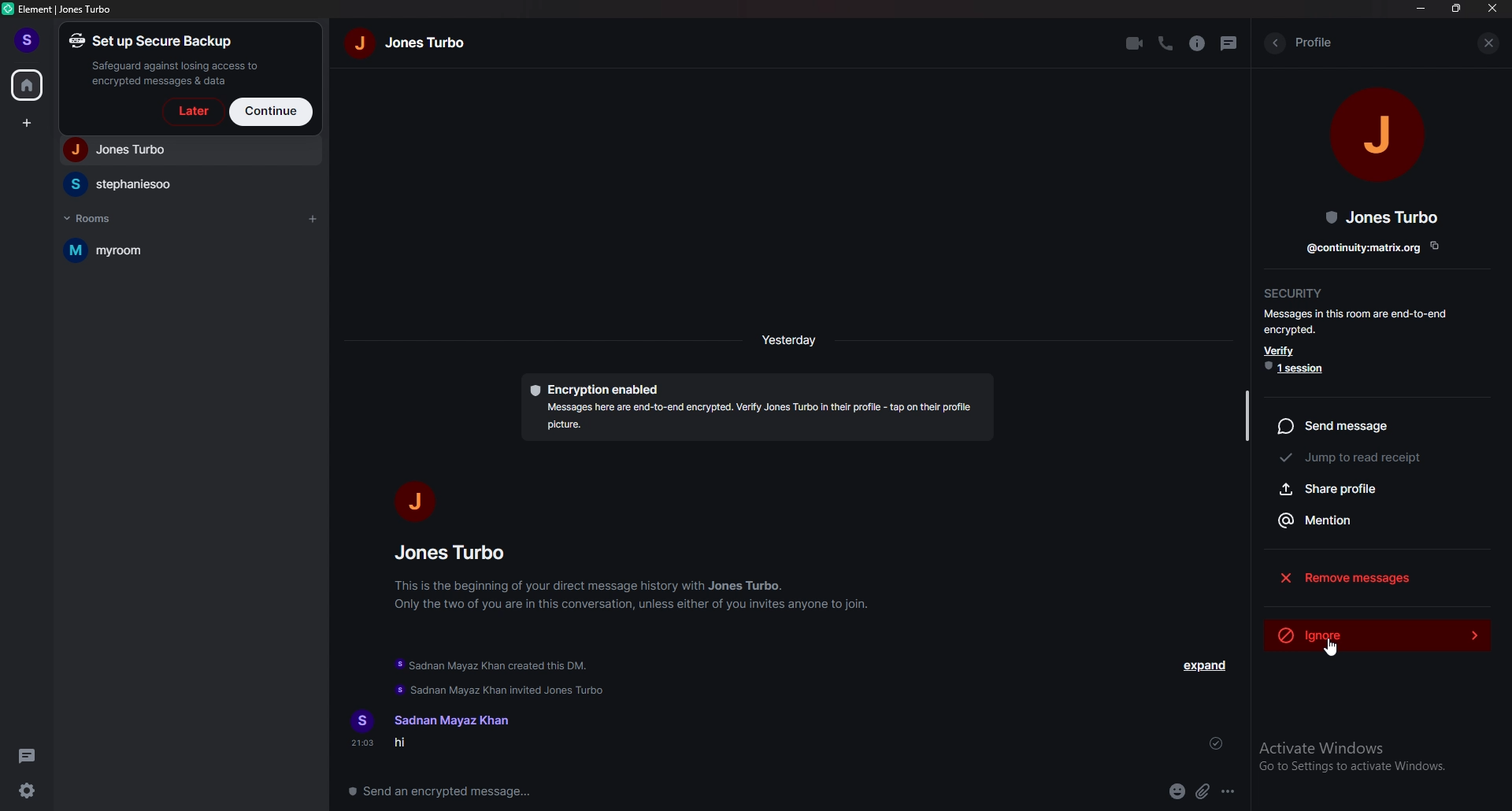  What do you see at coordinates (1178, 792) in the screenshot?
I see `emoji` at bounding box center [1178, 792].